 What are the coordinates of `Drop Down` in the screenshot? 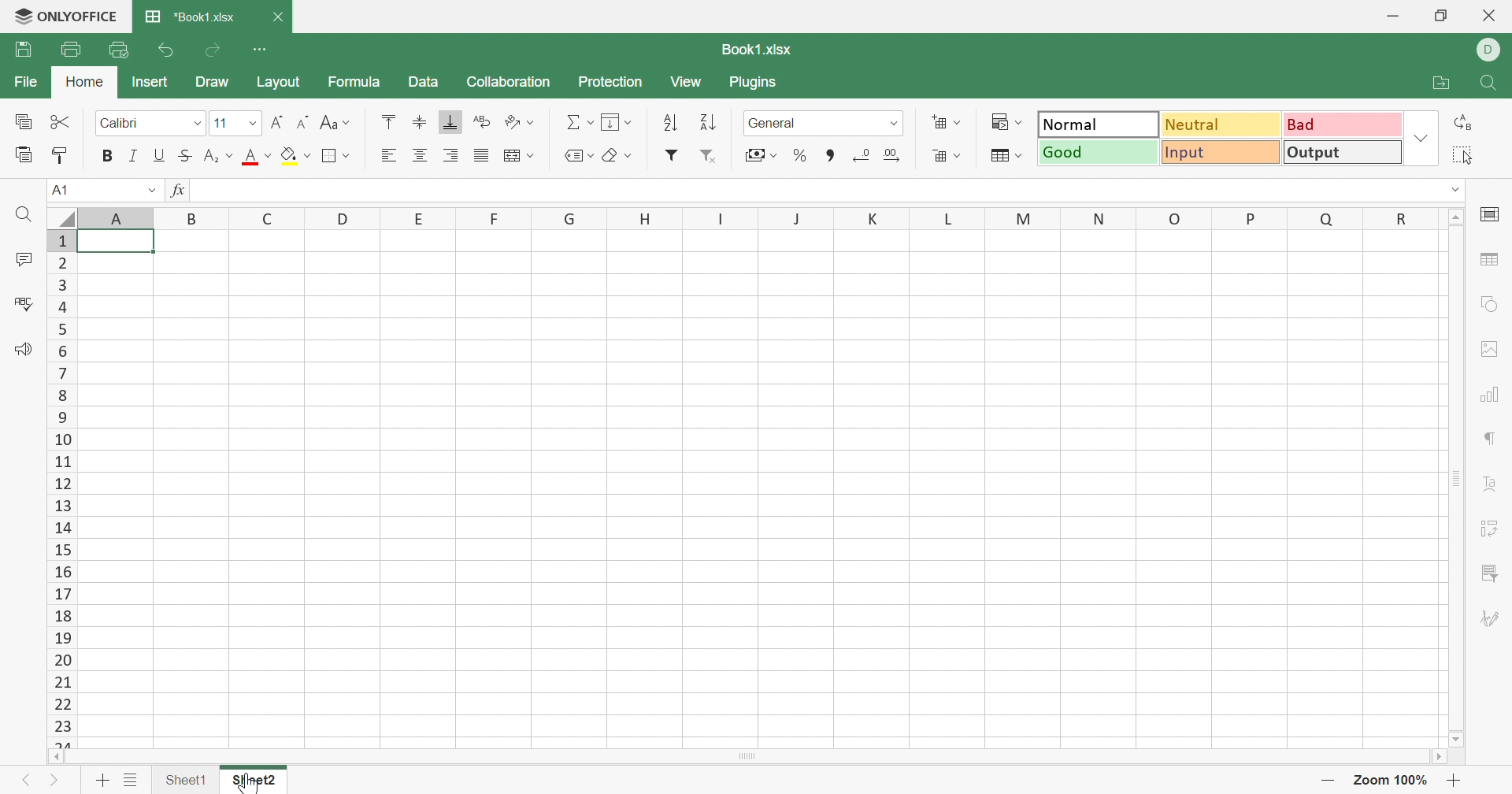 It's located at (310, 155).